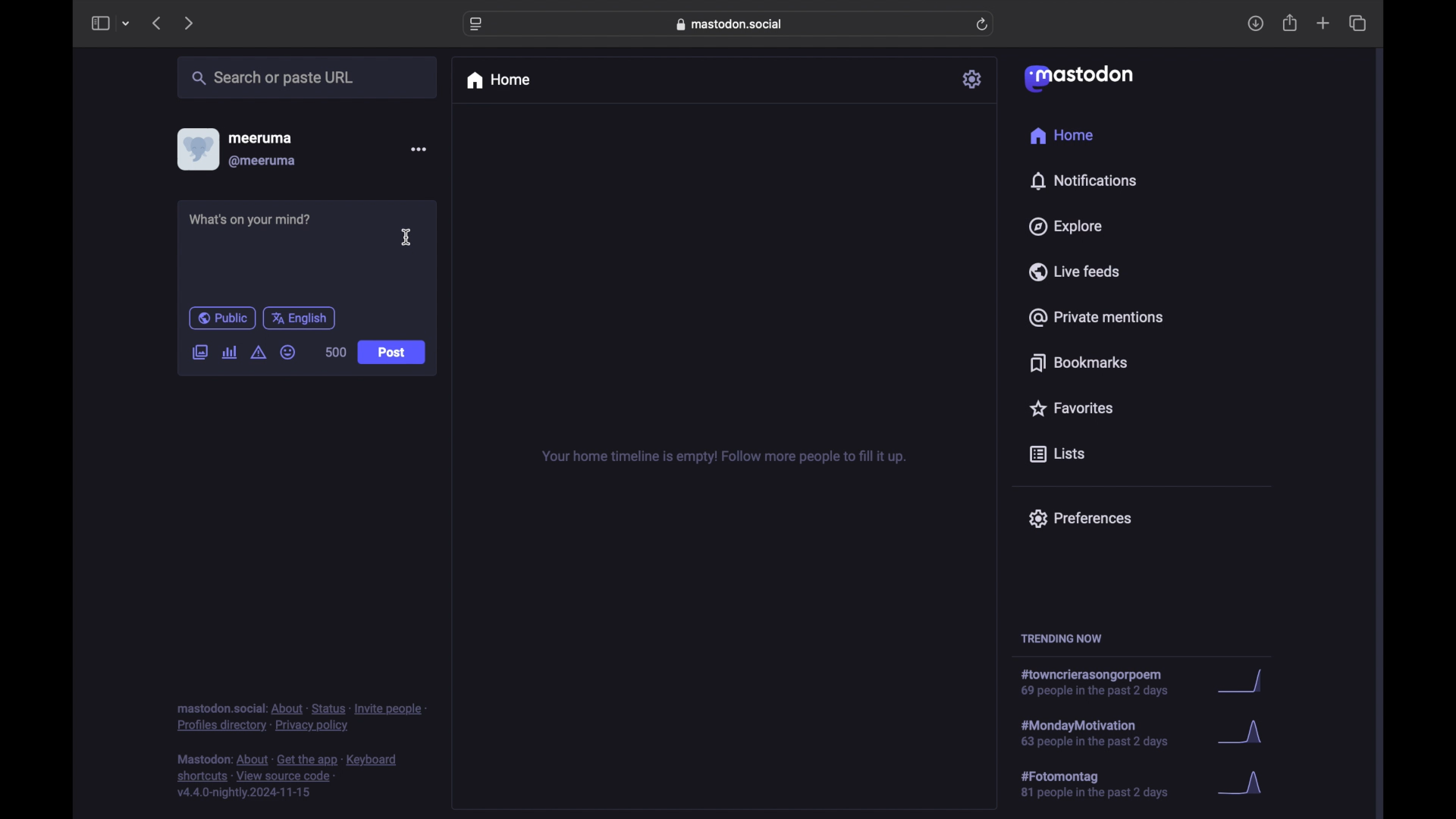 This screenshot has height=819, width=1456. I want to click on mastodon, so click(1077, 77).